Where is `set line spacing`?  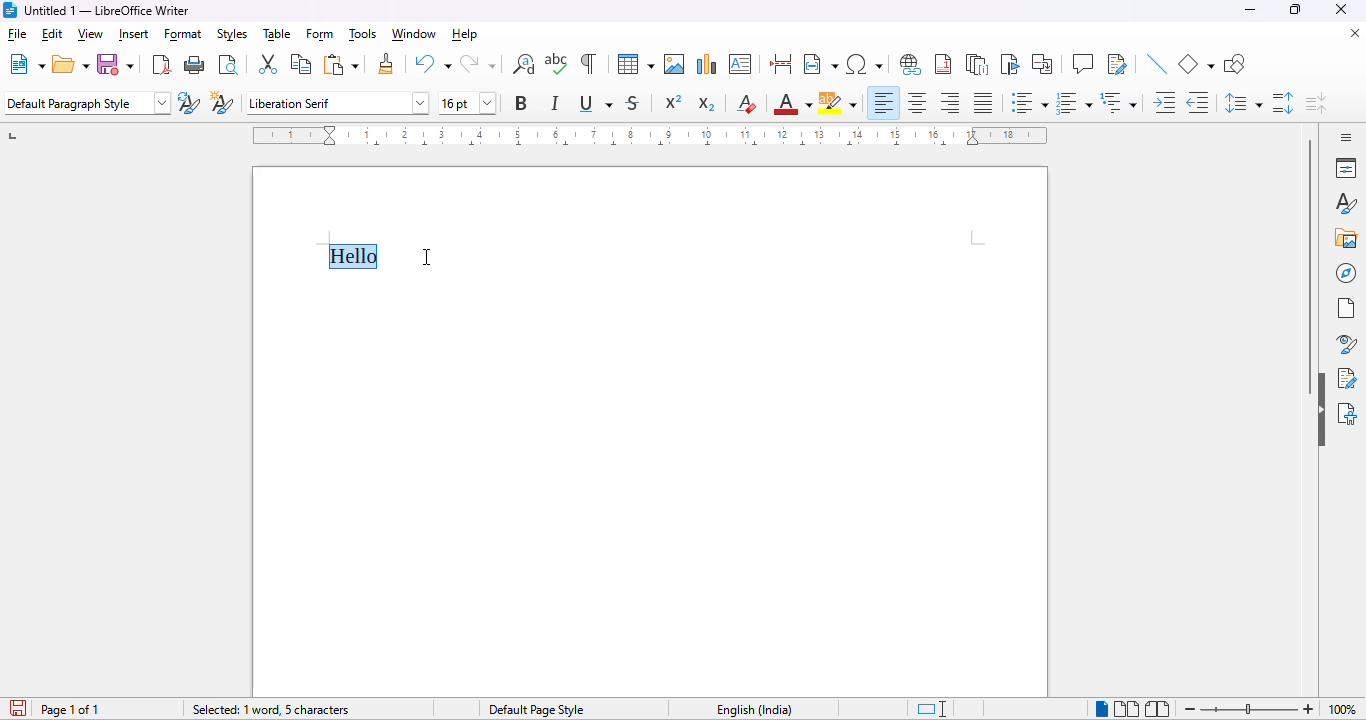 set line spacing is located at coordinates (1243, 104).